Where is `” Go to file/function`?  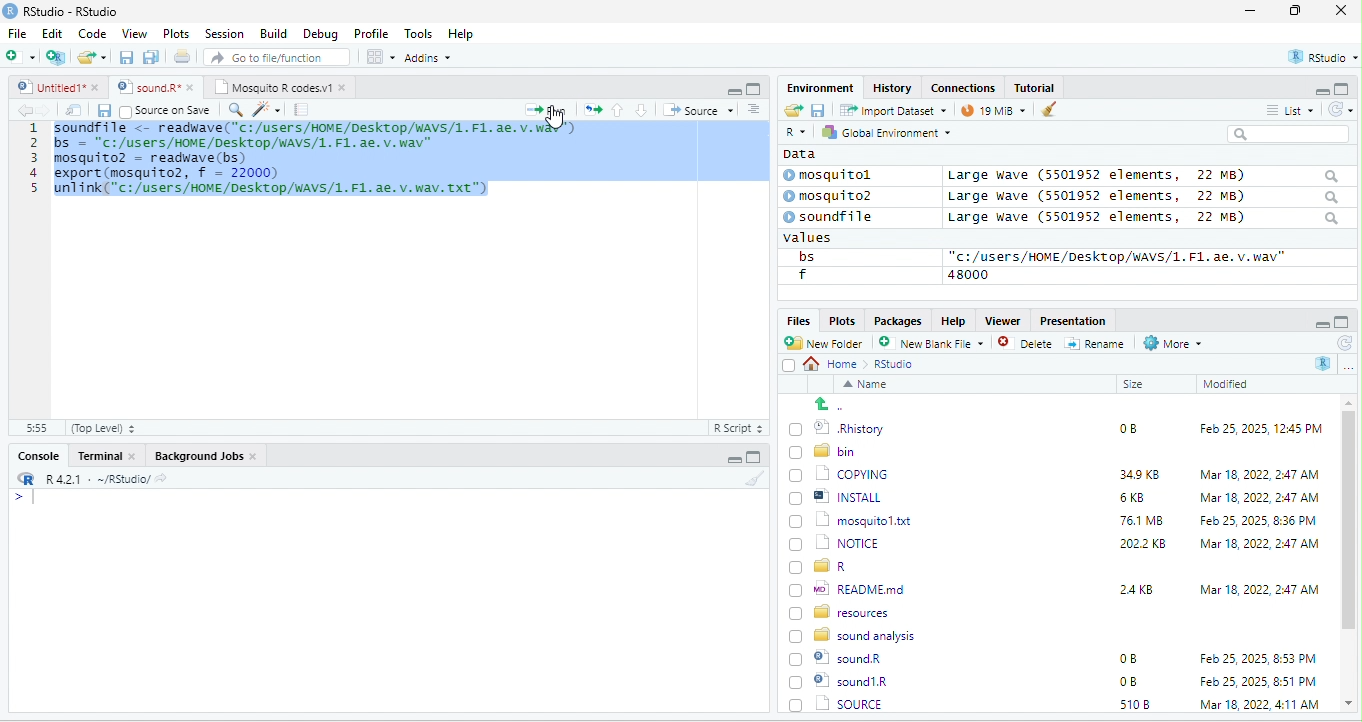 ” Go to file/function is located at coordinates (278, 59).